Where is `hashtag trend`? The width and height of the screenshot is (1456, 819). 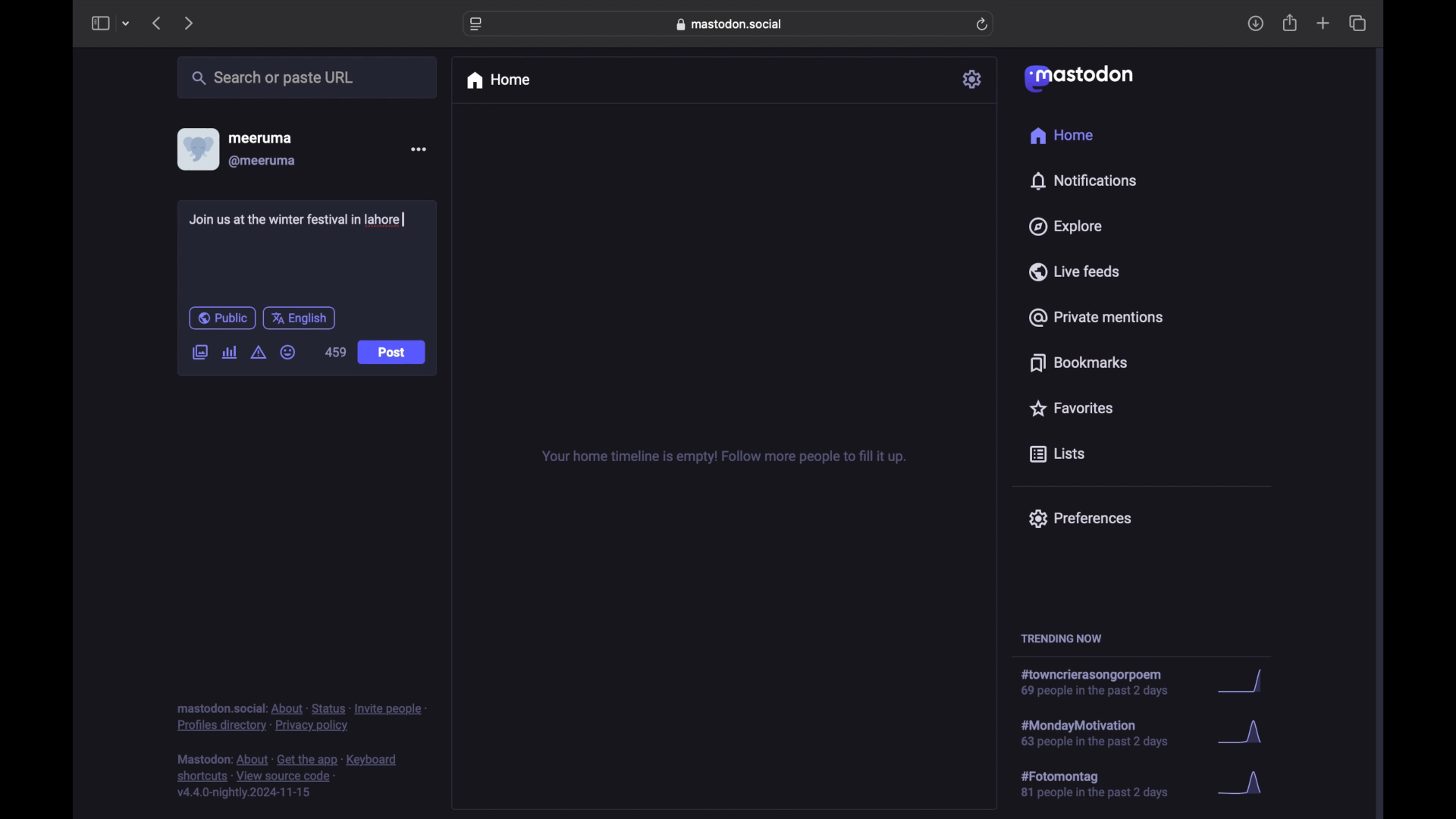
hashtag trend is located at coordinates (1105, 785).